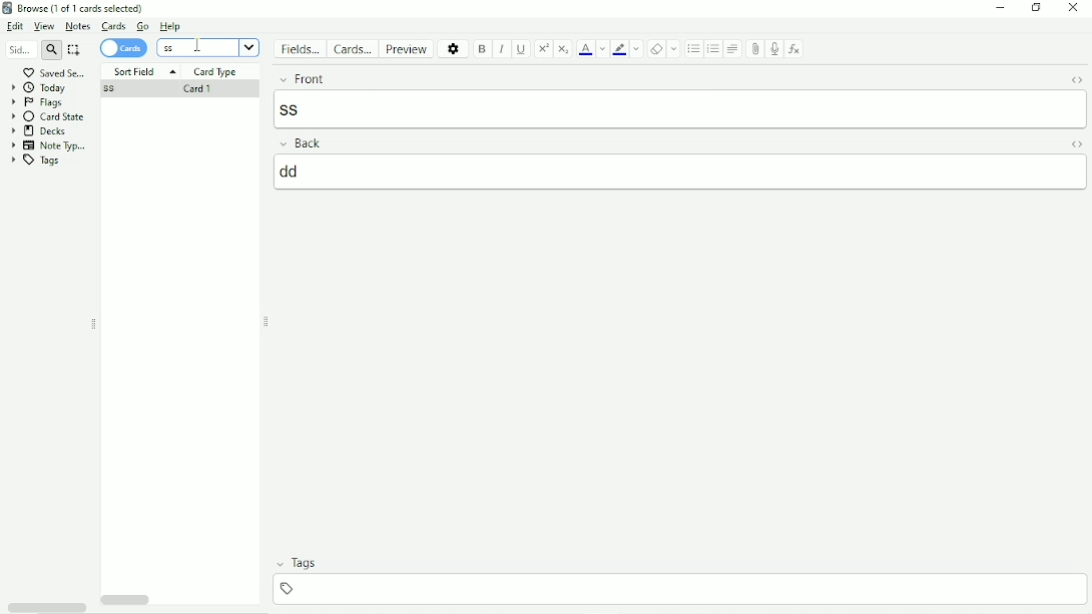 Image resolution: width=1092 pixels, height=614 pixels. Describe the element at coordinates (112, 27) in the screenshot. I see `Cards` at that location.